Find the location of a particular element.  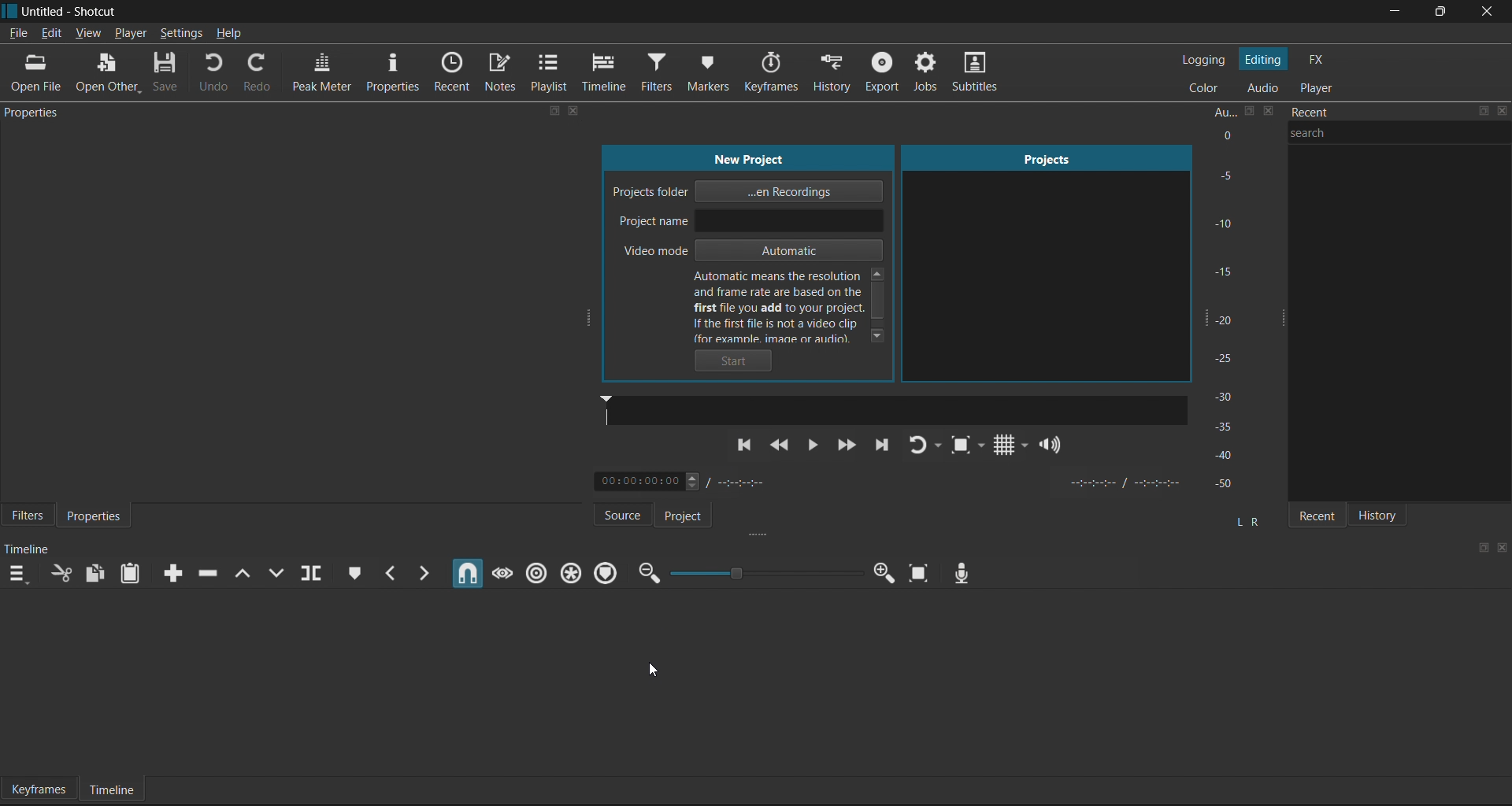

Ripple Markers is located at coordinates (609, 572).